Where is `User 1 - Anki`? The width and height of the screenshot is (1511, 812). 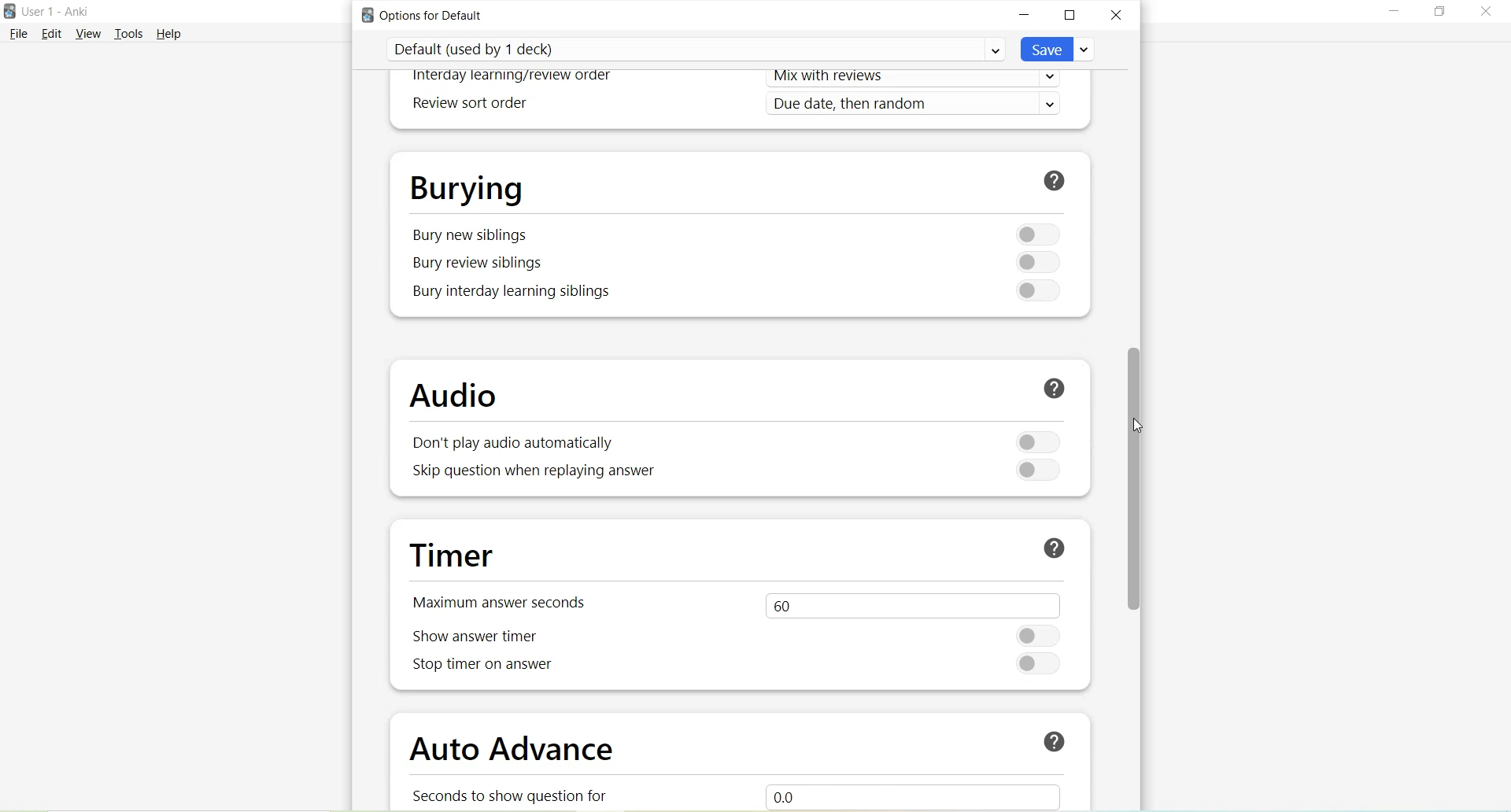 User 1 - Anki is located at coordinates (55, 11).